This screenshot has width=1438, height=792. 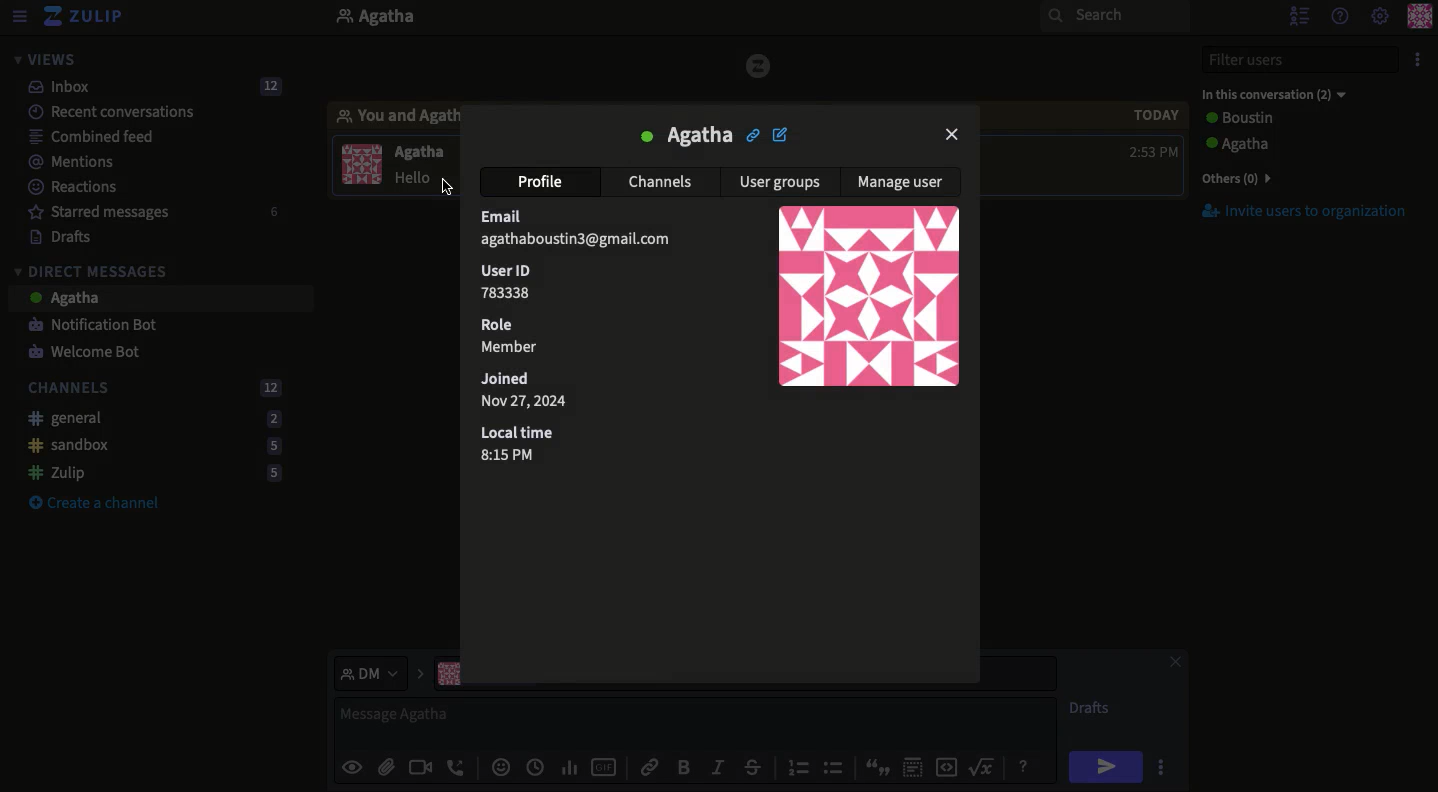 I want to click on Help, so click(x=1341, y=15).